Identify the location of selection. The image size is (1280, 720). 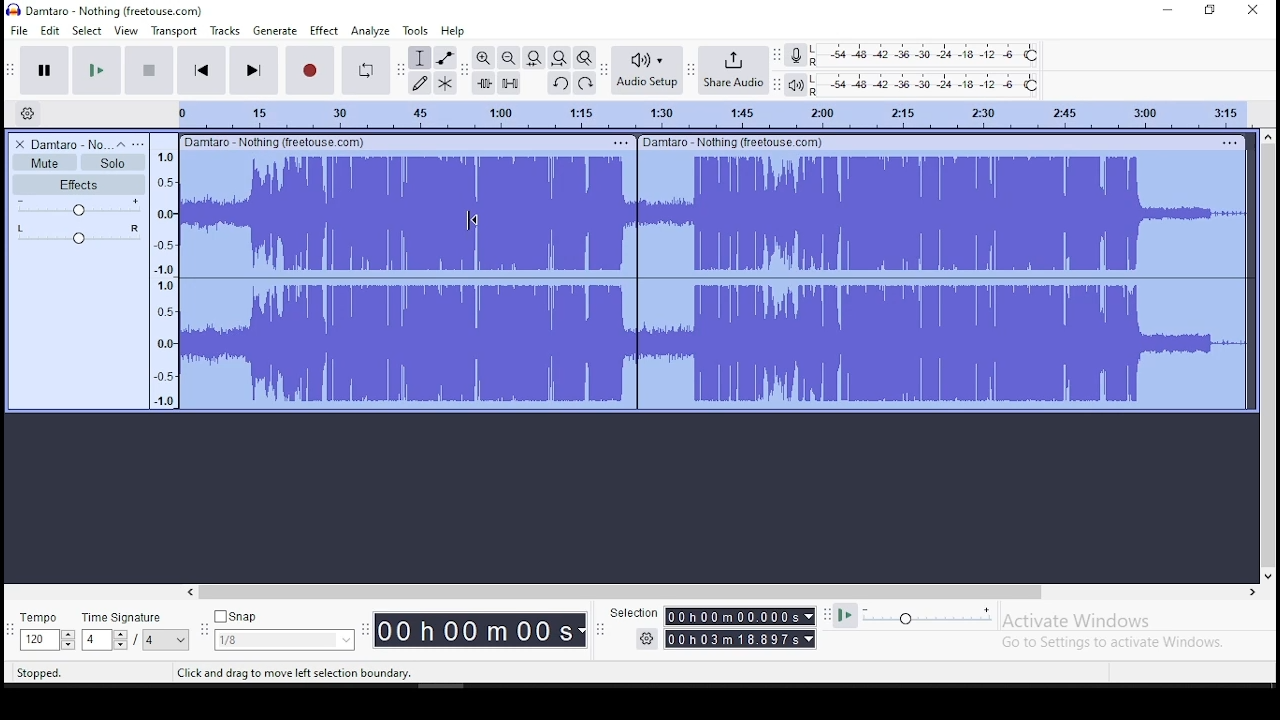
(633, 613).